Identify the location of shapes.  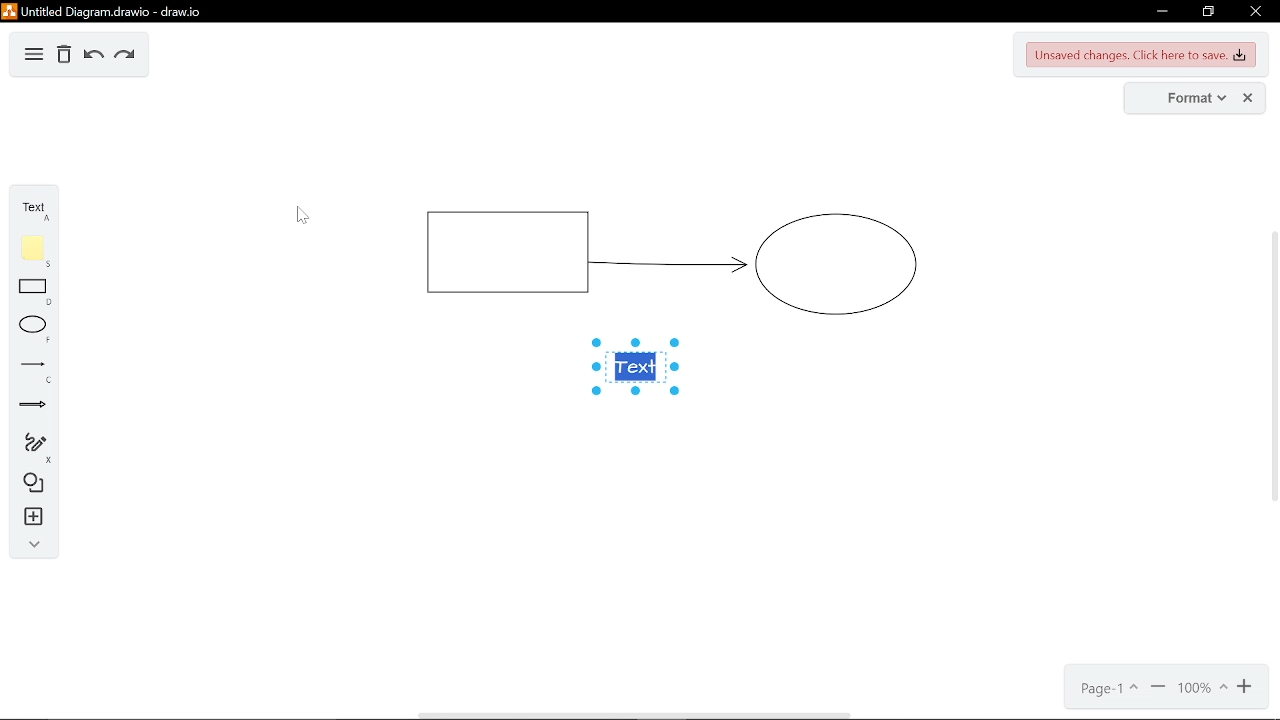
(34, 484).